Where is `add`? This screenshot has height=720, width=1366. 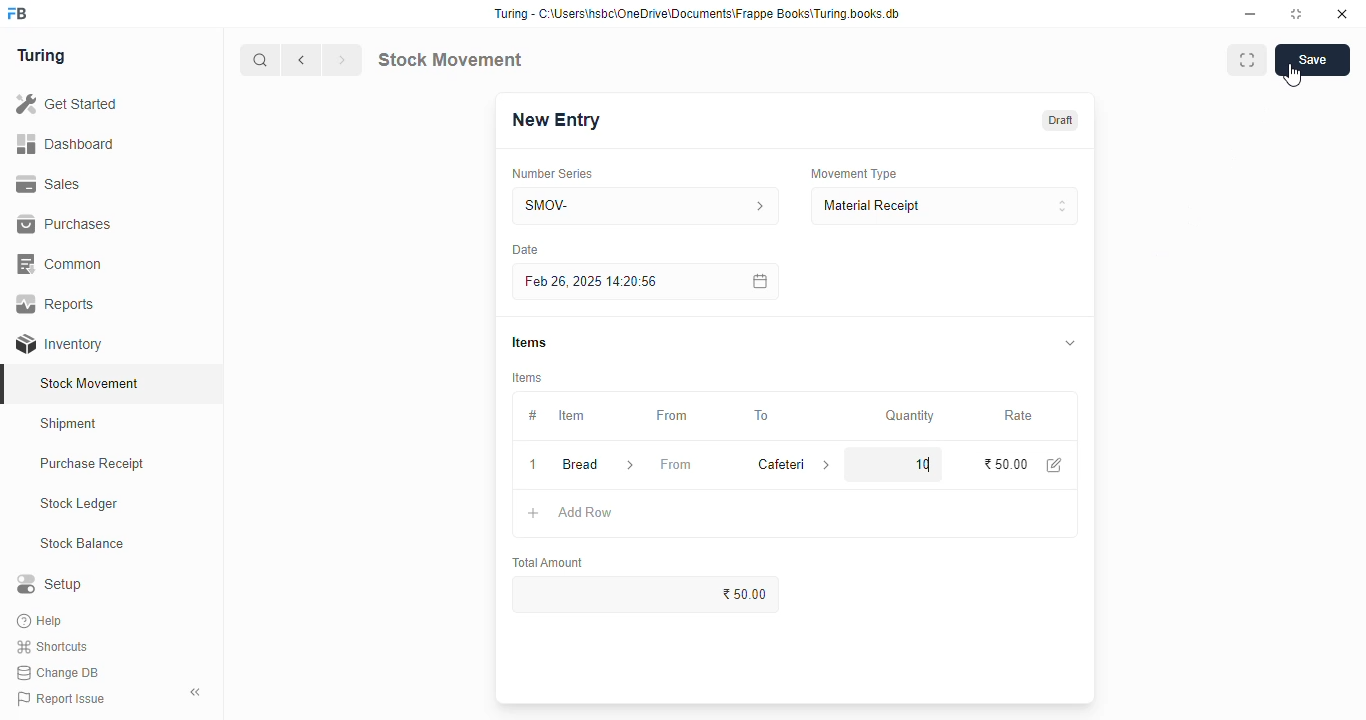
add is located at coordinates (534, 514).